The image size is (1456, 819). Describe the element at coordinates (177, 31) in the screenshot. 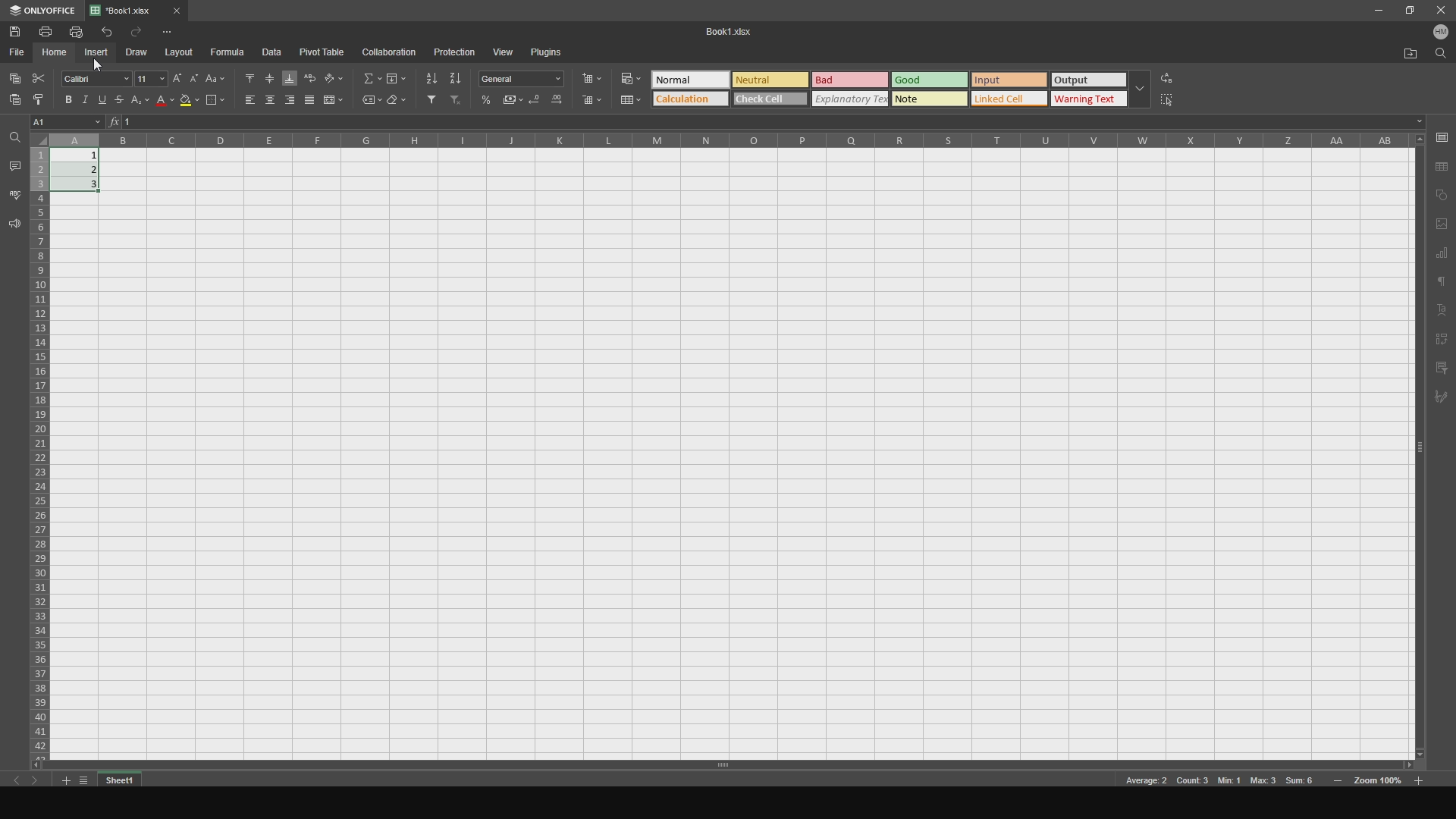

I see `options` at that location.